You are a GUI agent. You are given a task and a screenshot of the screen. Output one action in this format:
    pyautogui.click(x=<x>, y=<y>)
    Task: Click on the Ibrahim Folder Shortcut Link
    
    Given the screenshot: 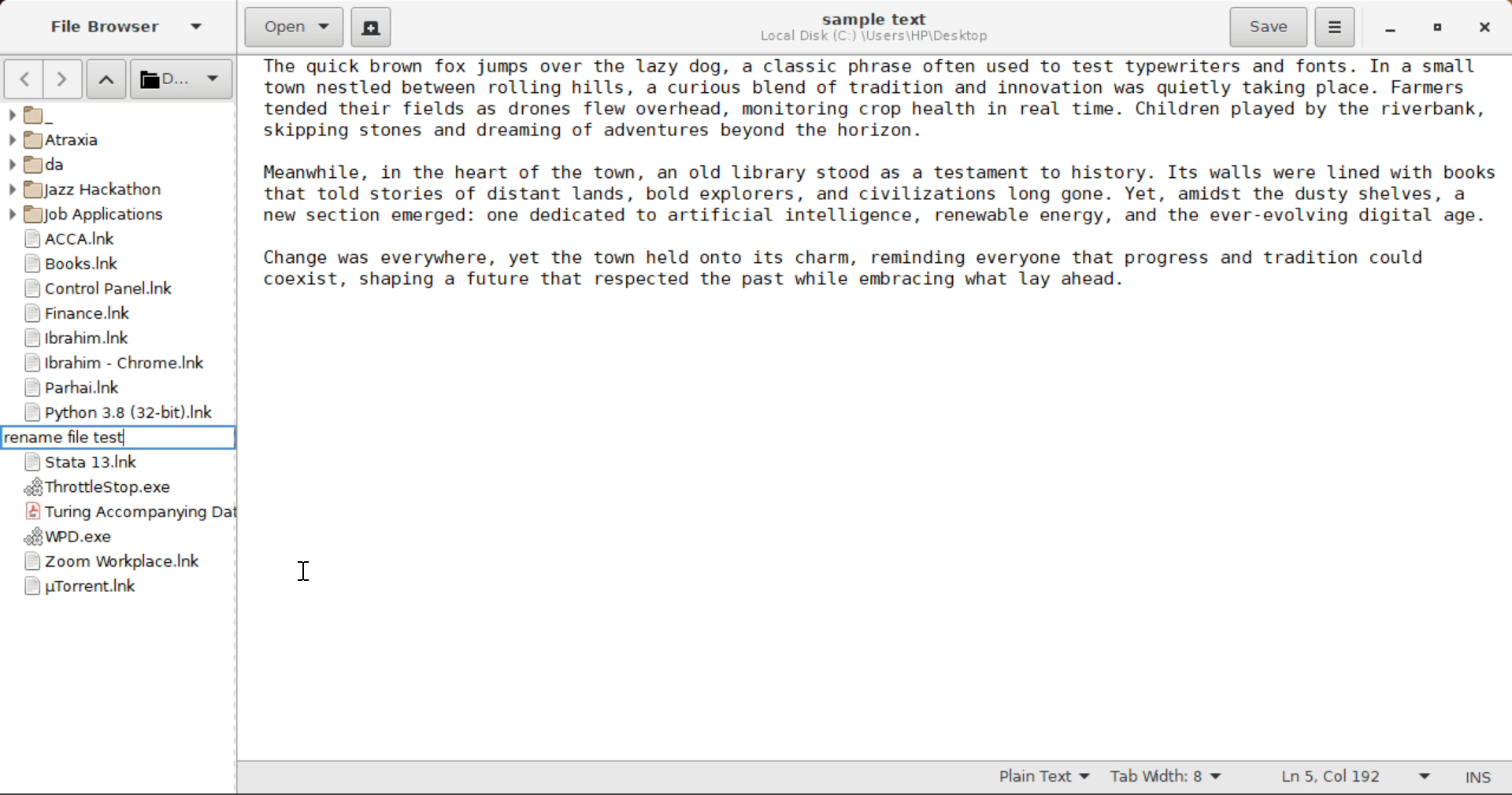 What is the action you would take?
    pyautogui.click(x=117, y=339)
    